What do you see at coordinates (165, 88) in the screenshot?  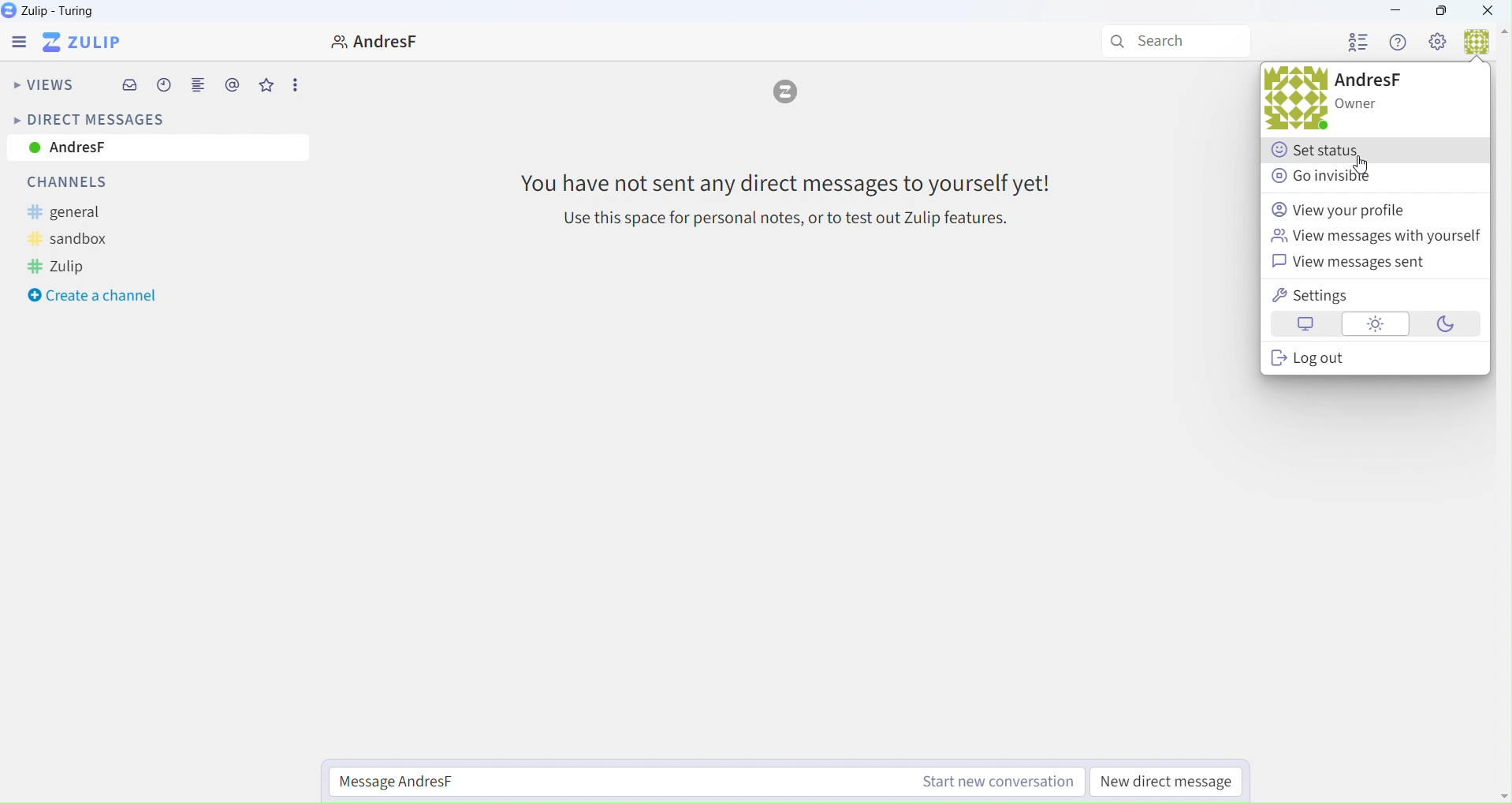 I see `Schedule` at bounding box center [165, 88].